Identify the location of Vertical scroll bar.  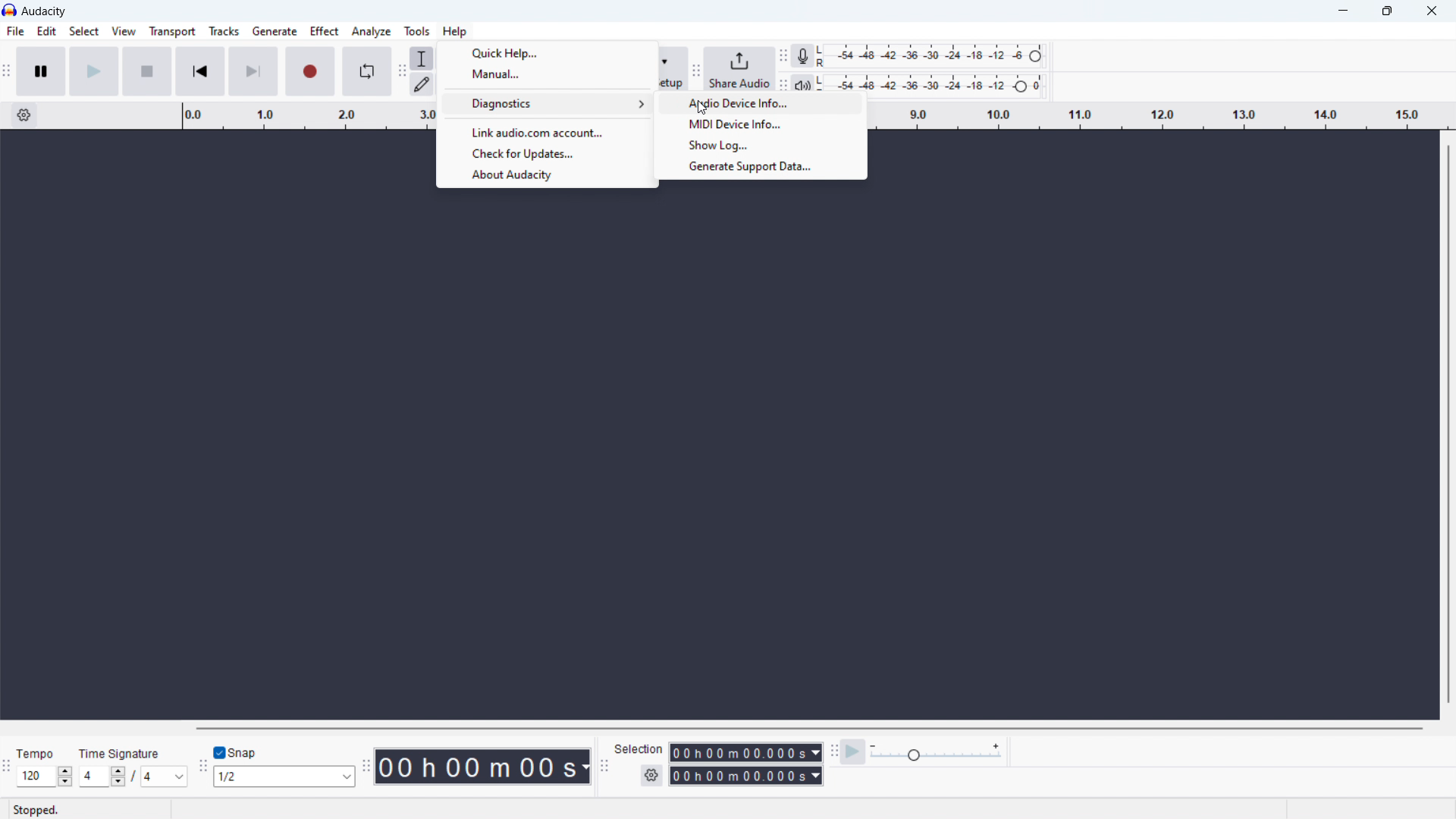
(1445, 428).